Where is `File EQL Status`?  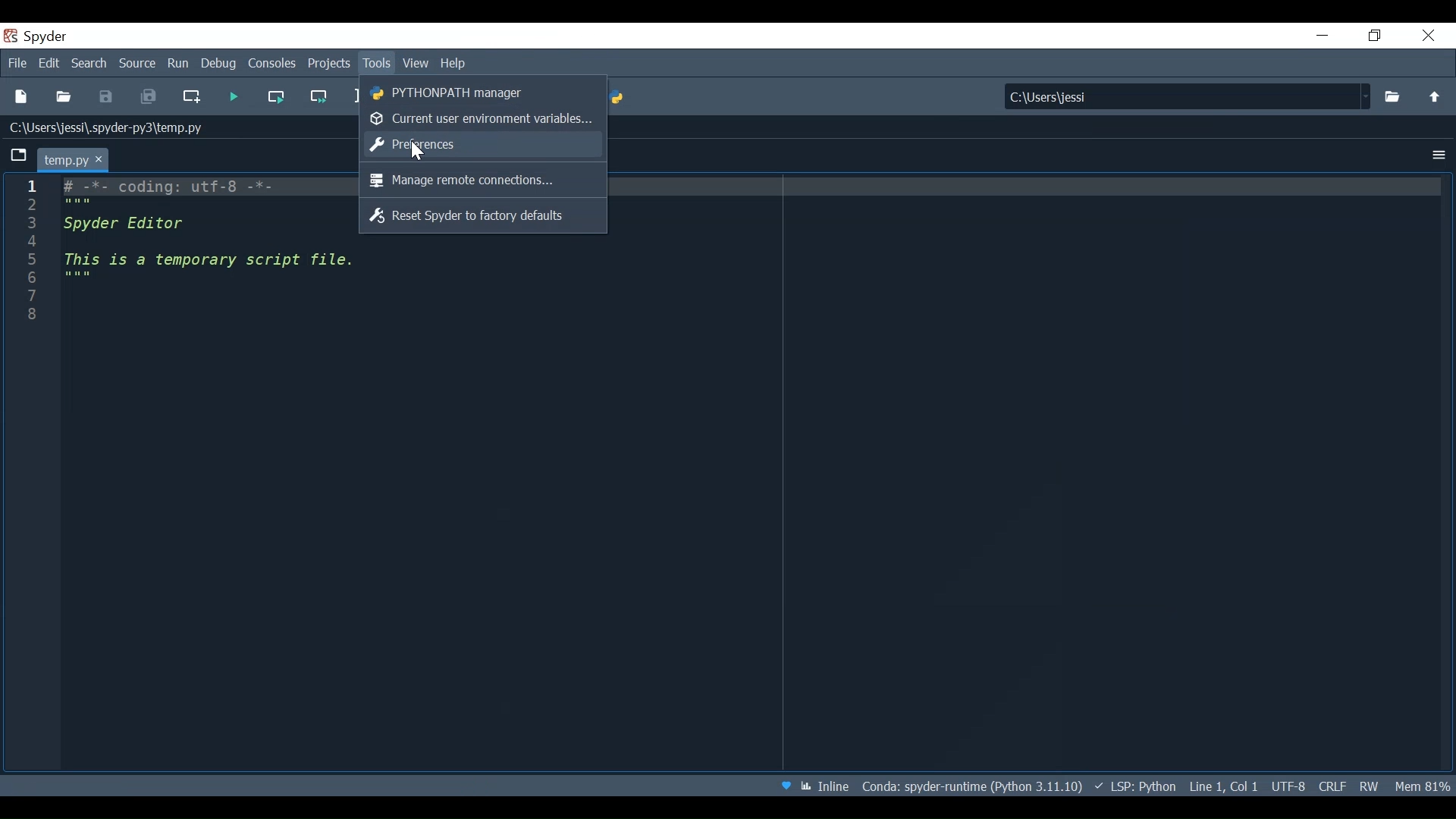
File EQL Status is located at coordinates (1330, 786).